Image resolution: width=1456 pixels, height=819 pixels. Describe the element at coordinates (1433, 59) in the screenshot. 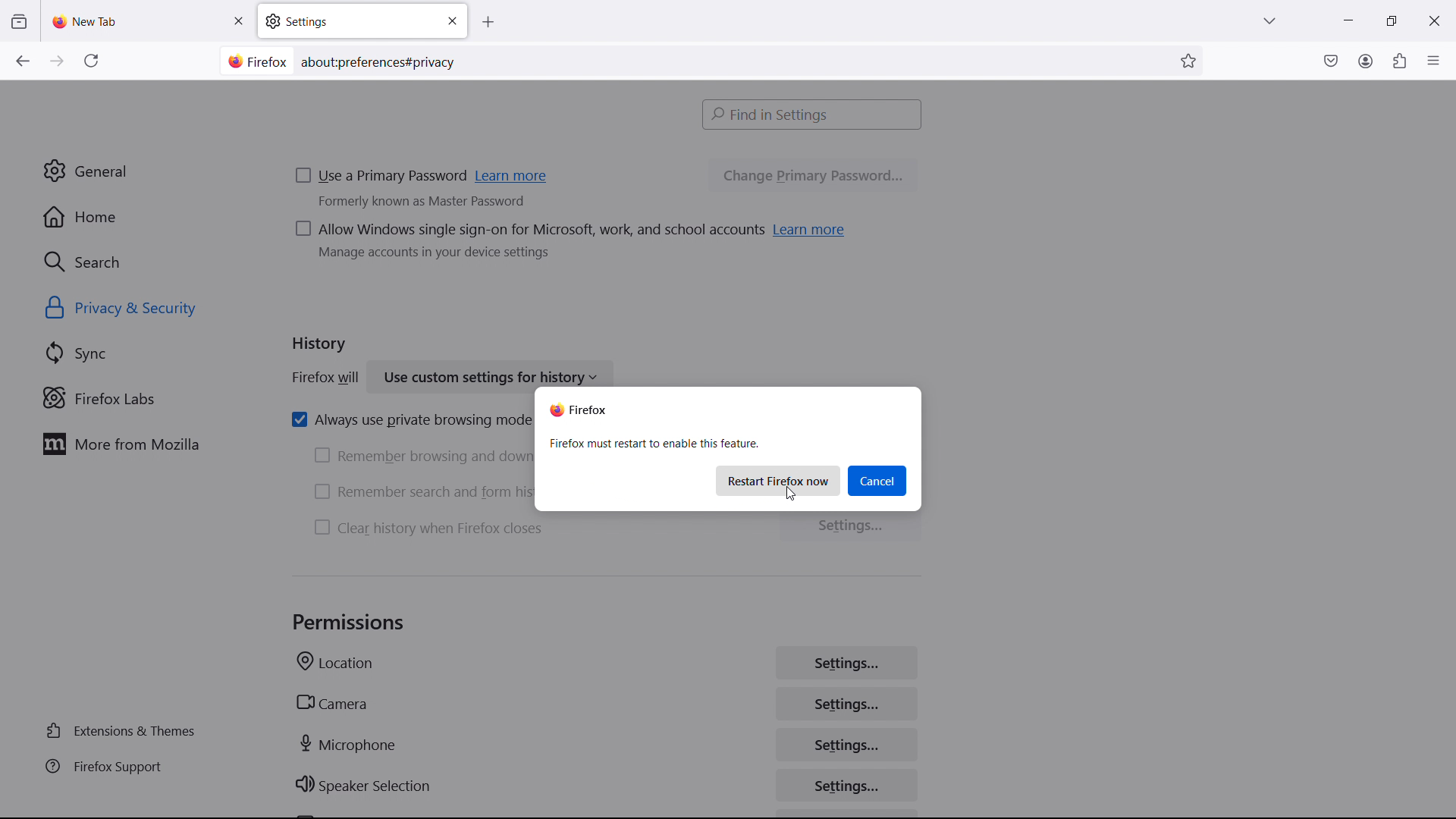

I see `open application menu` at that location.